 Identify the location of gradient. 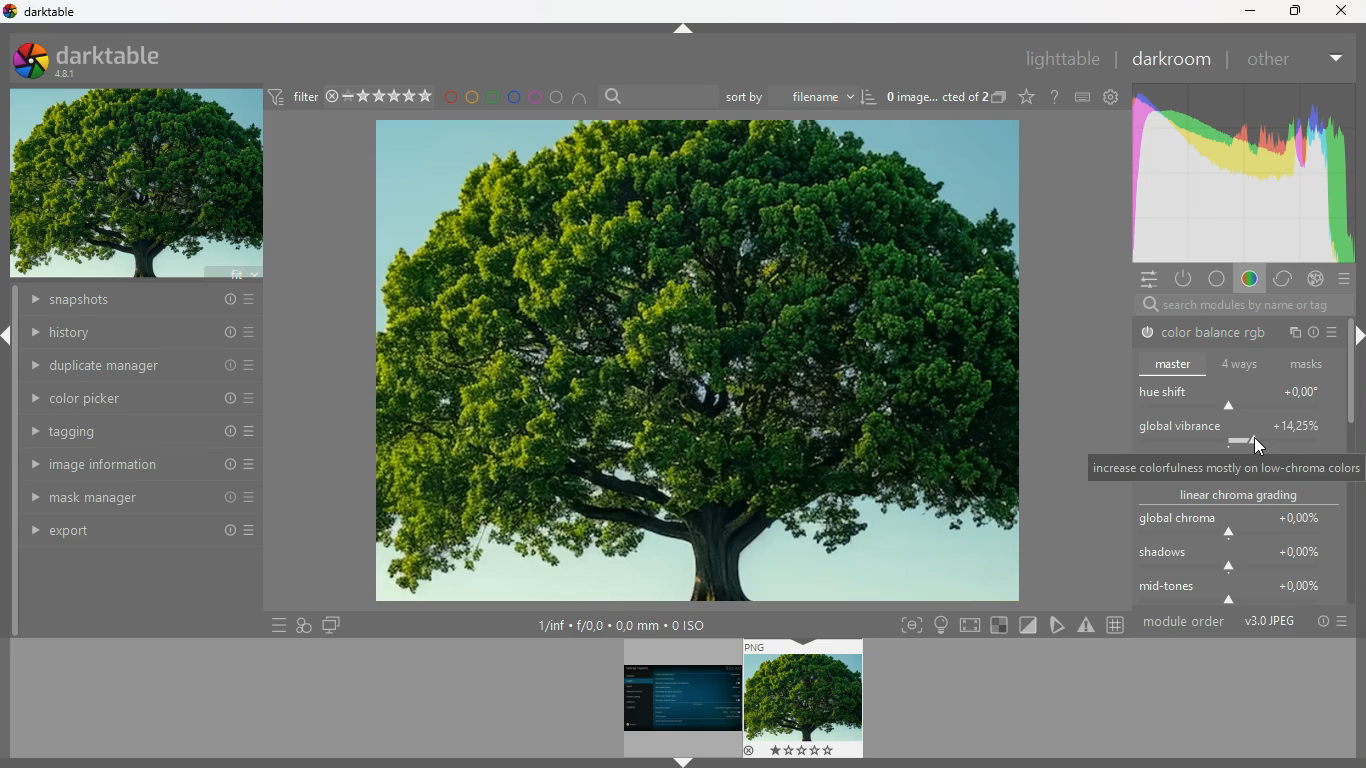
(1240, 174).